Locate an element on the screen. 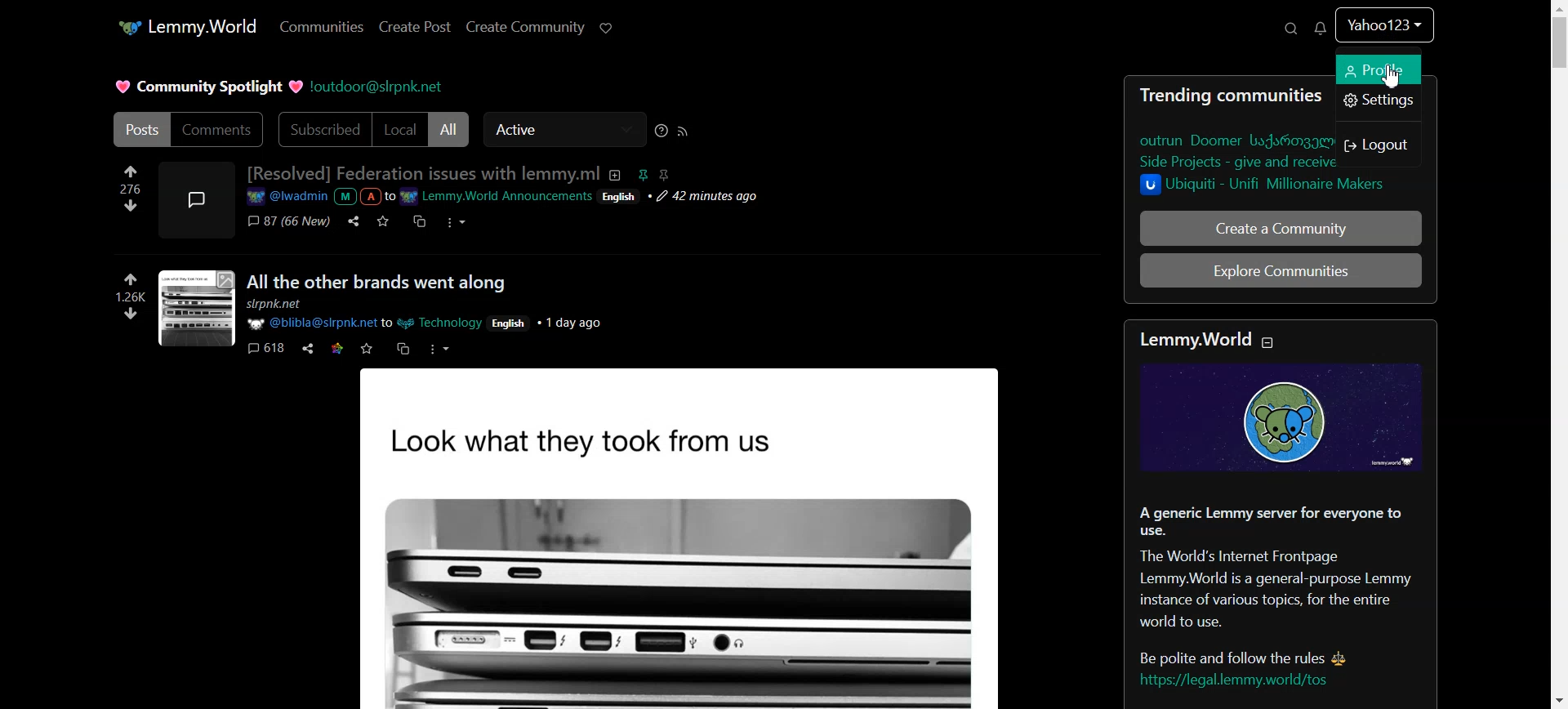 This screenshot has height=709, width=1568. English 42 minutes ago is located at coordinates (683, 198).